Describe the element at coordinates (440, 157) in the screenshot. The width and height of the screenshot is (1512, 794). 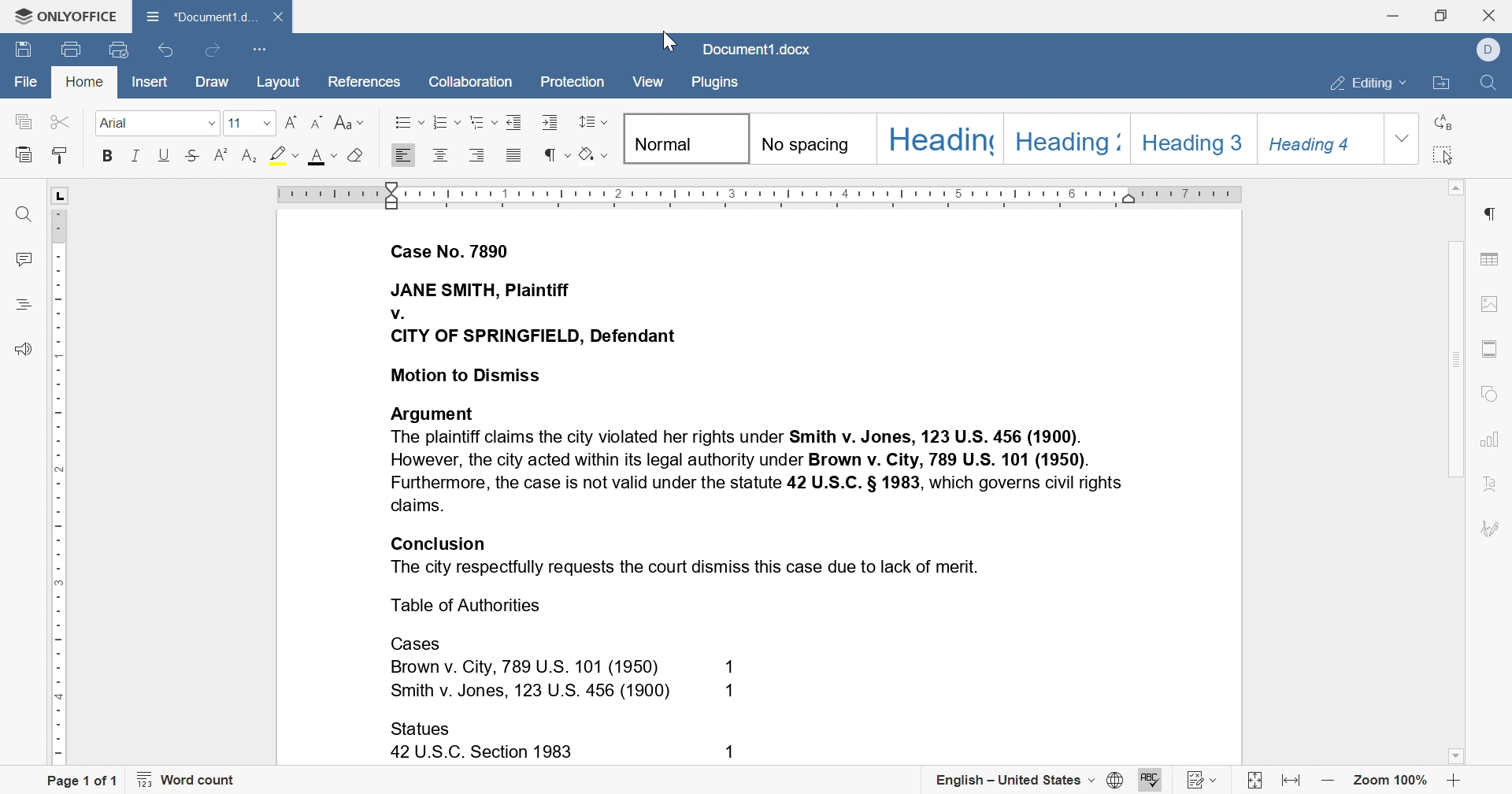
I see `Align center` at that location.